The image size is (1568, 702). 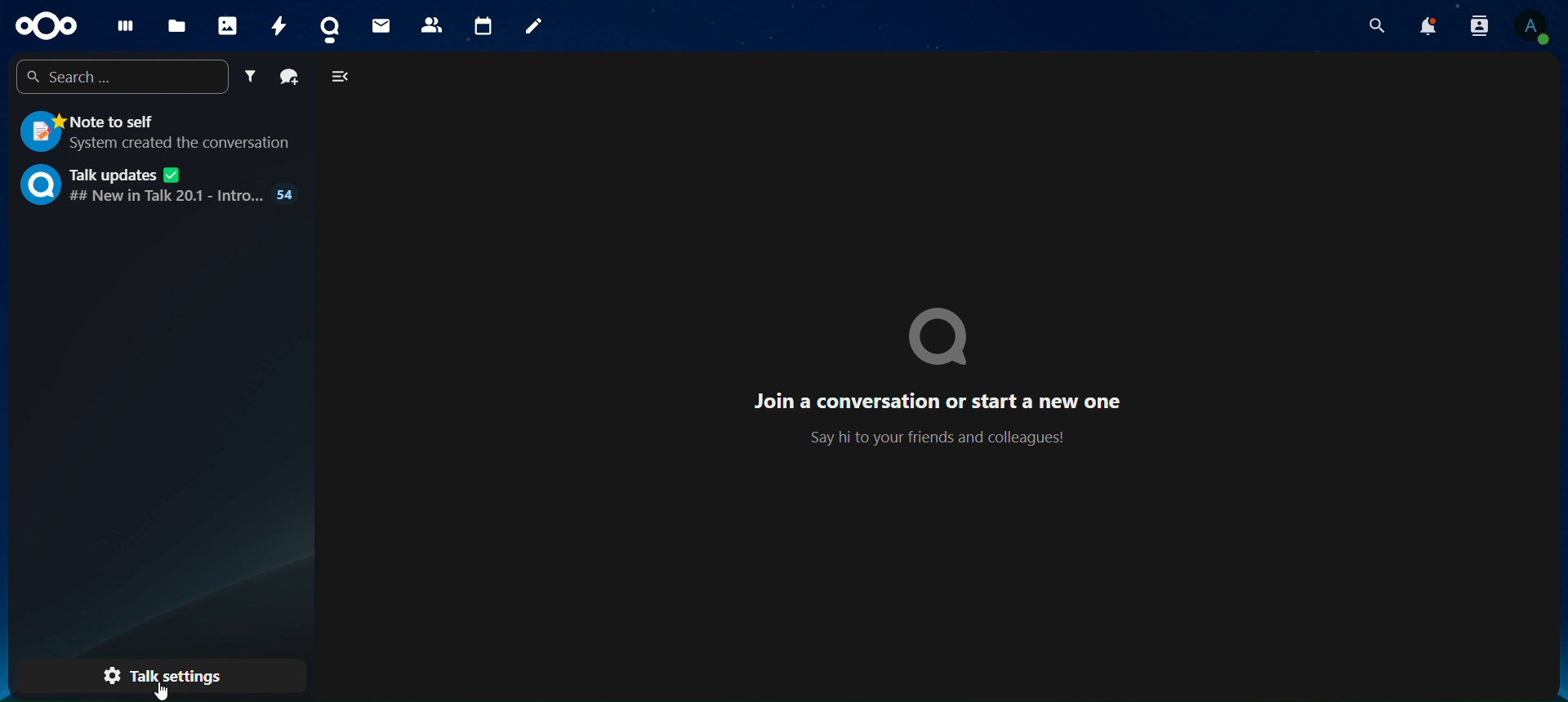 I want to click on Talk logo, so click(x=943, y=337).